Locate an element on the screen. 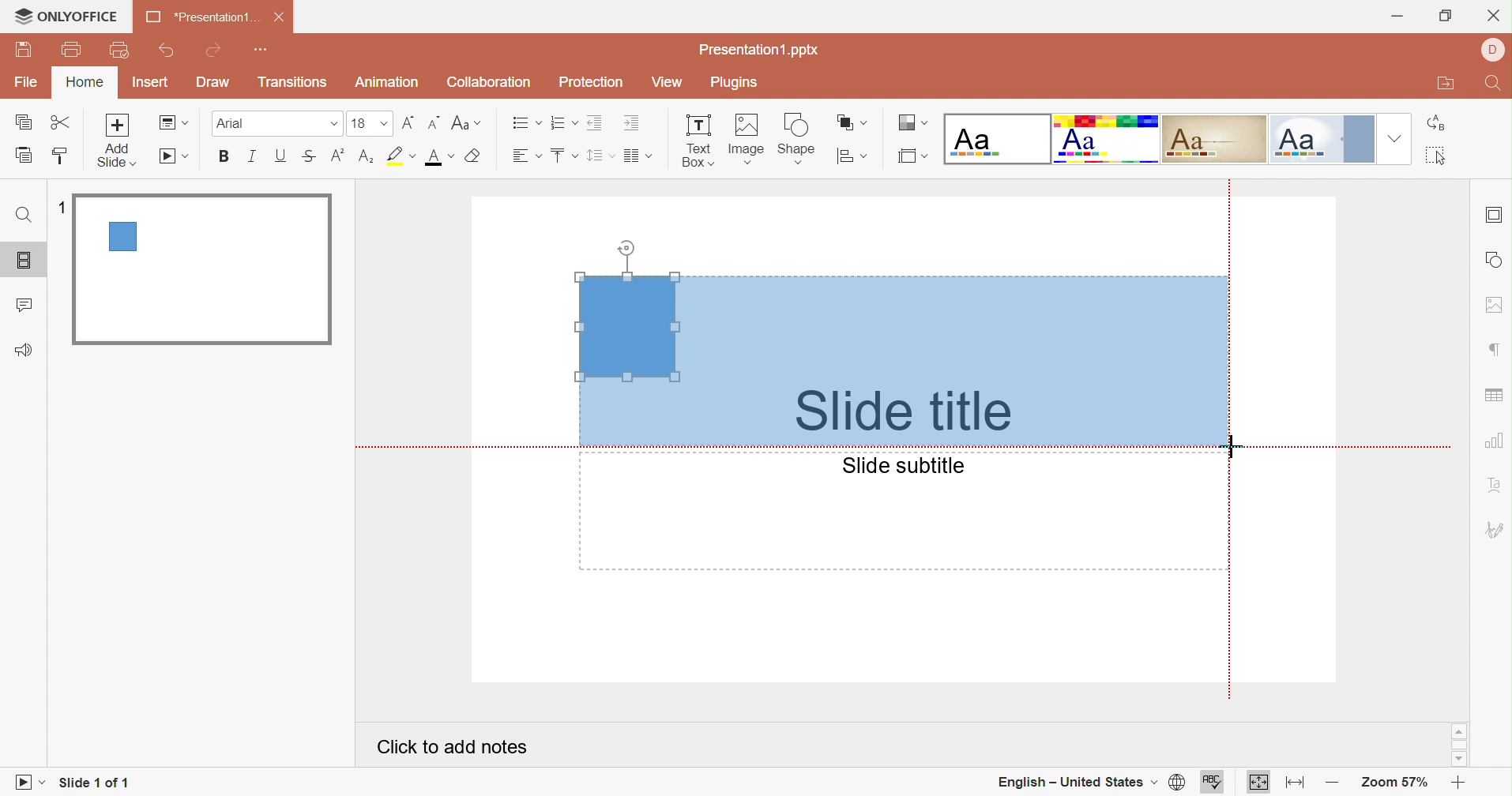  Find is located at coordinates (1494, 84).